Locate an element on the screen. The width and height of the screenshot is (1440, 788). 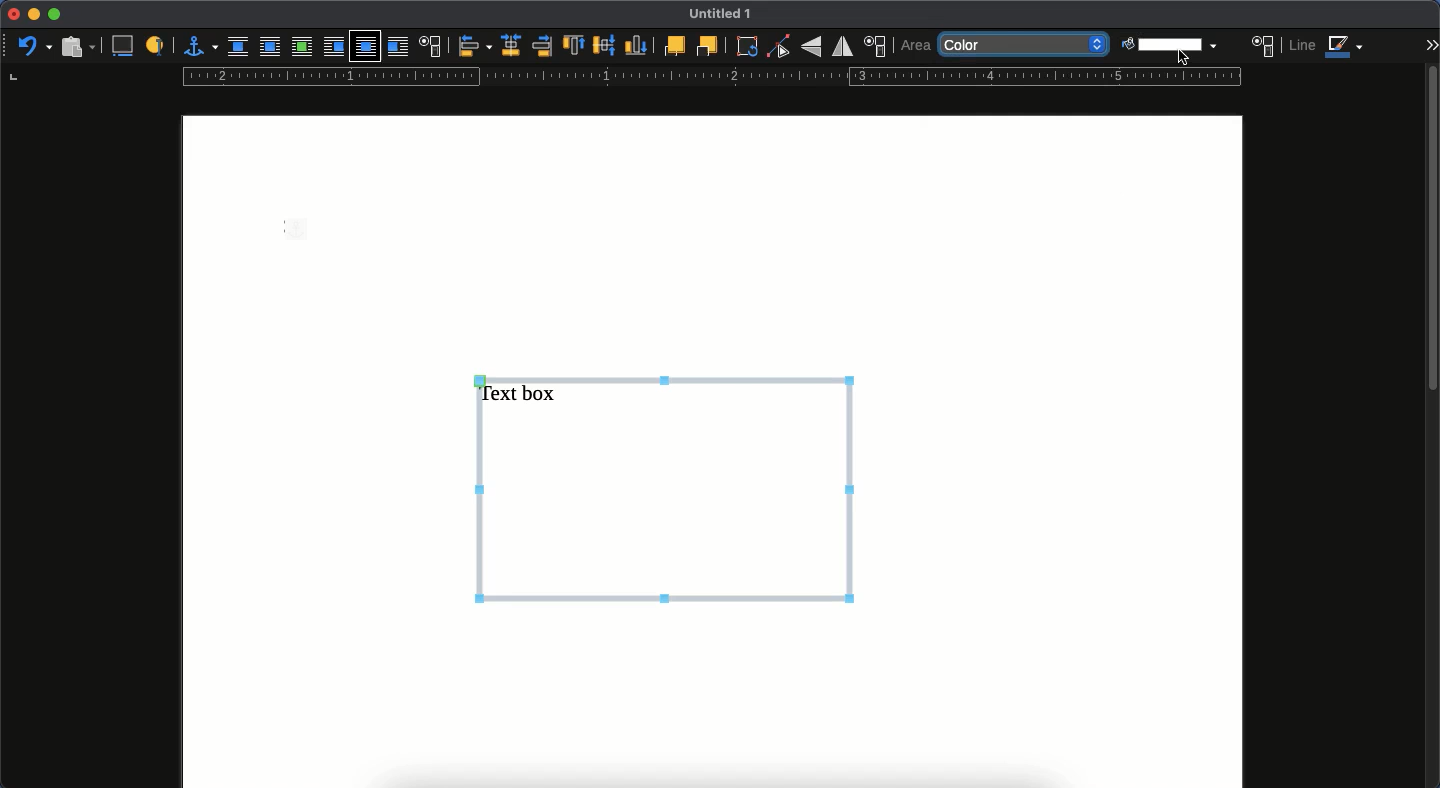
guide is located at coordinates (709, 77).